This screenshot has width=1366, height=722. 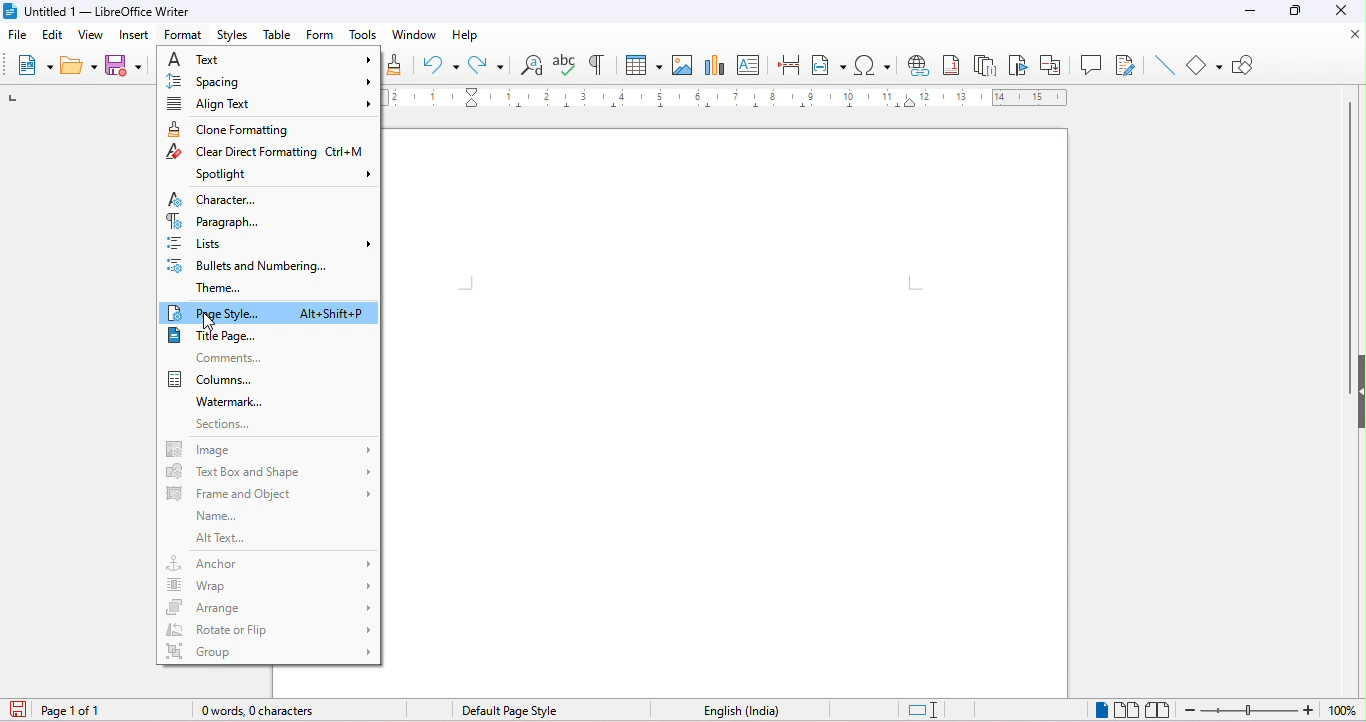 I want to click on frame and object, so click(x=269, y=493).